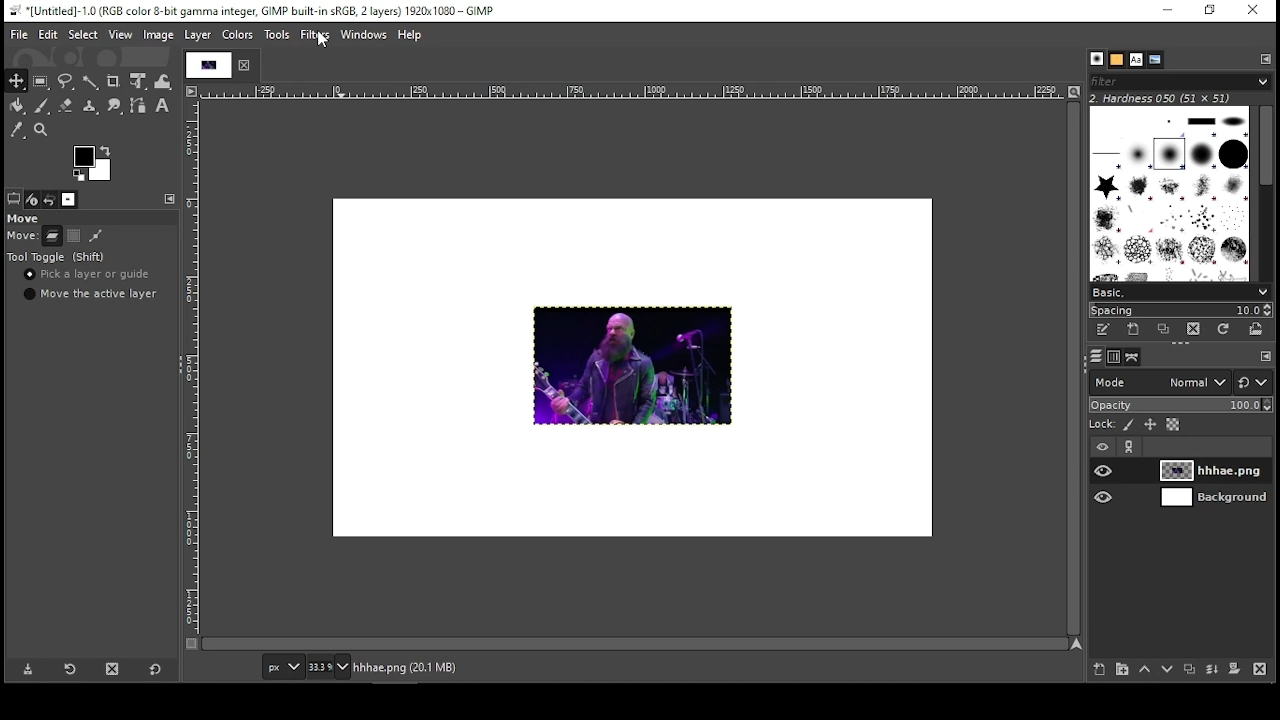  What do you see at coordinates (19, 106) in the screenshot?
I see `paint bucket tool` at bounding box center [19, 106].